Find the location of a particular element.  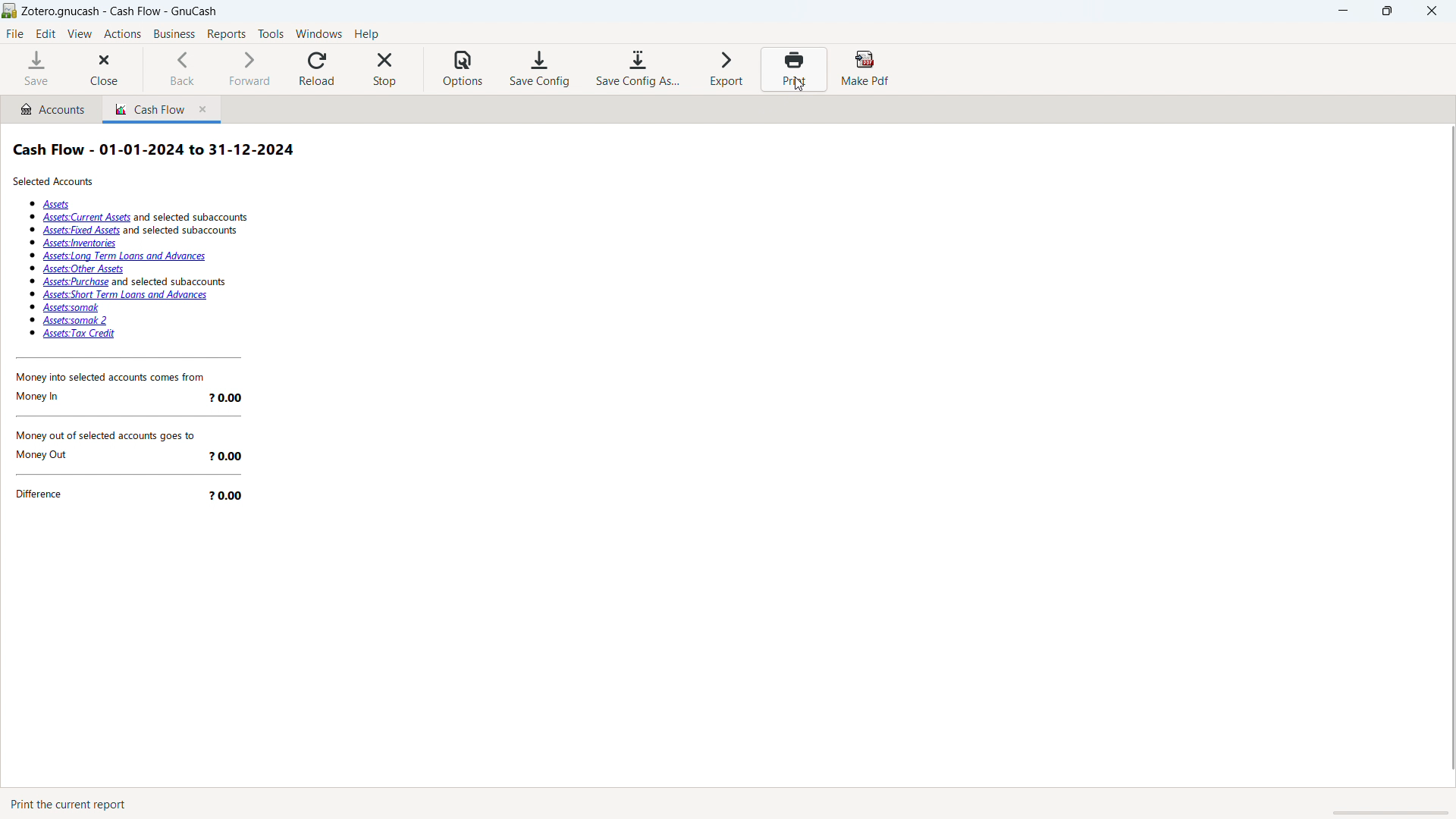

view is located at coordinates (80, 33).